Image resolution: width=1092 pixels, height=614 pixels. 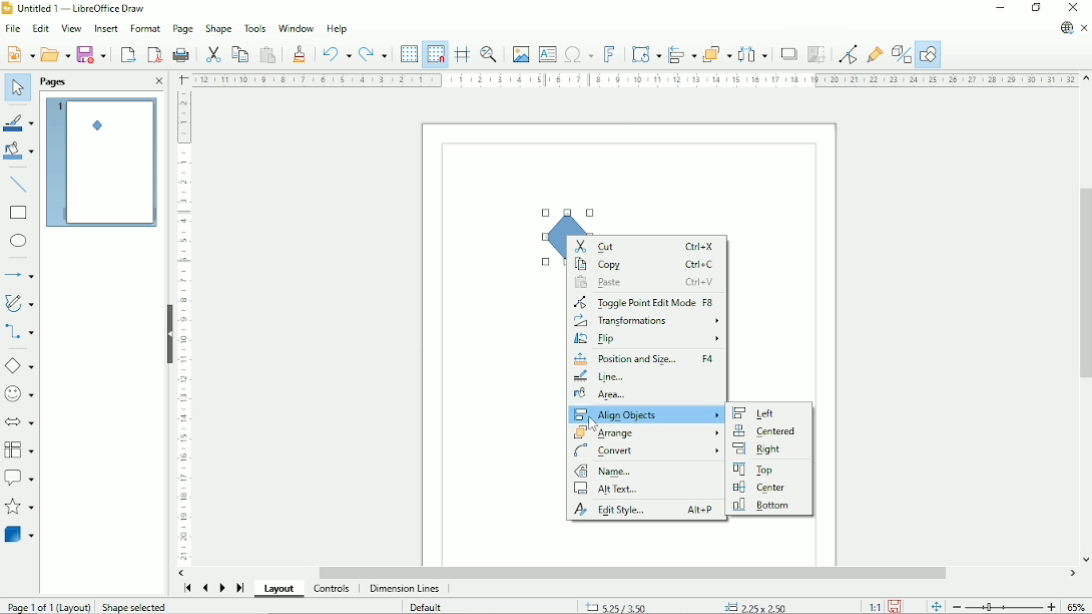 I want to click on Help, so click(x=337, y=28).